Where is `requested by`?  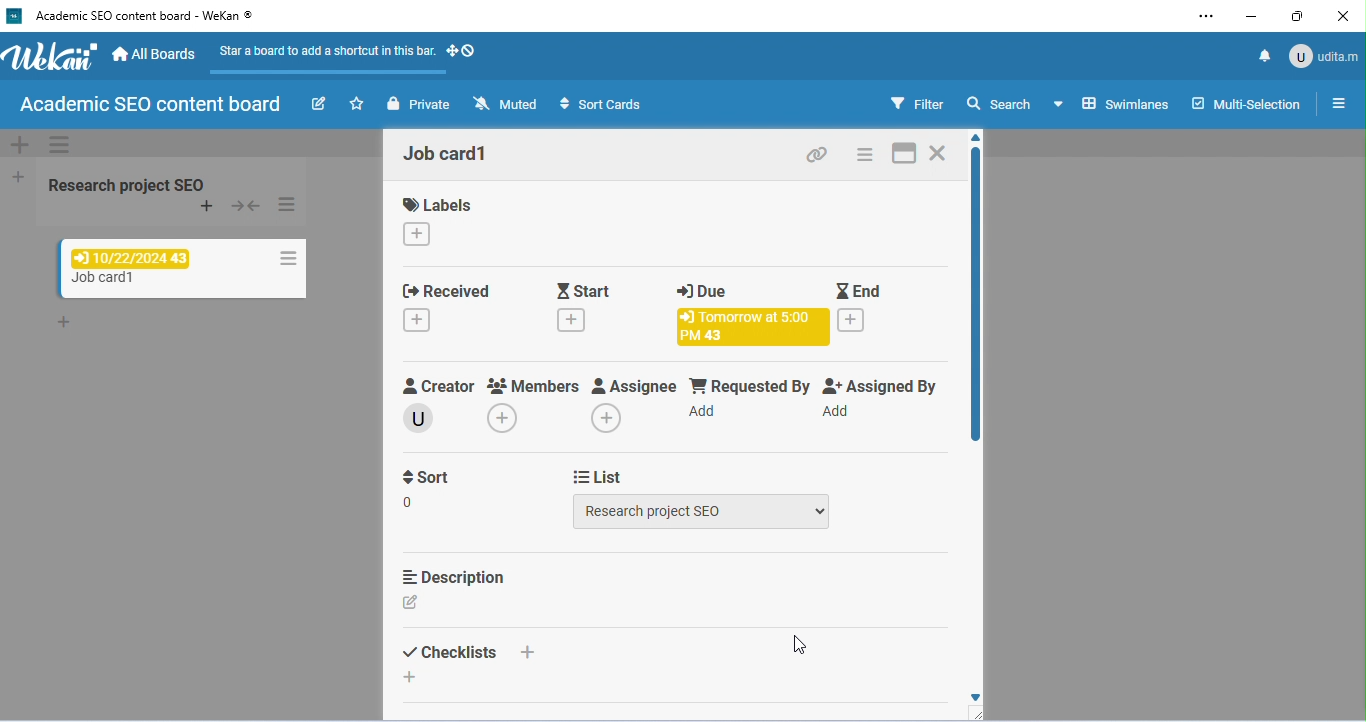
requested by is located at coordinates (749, 383).